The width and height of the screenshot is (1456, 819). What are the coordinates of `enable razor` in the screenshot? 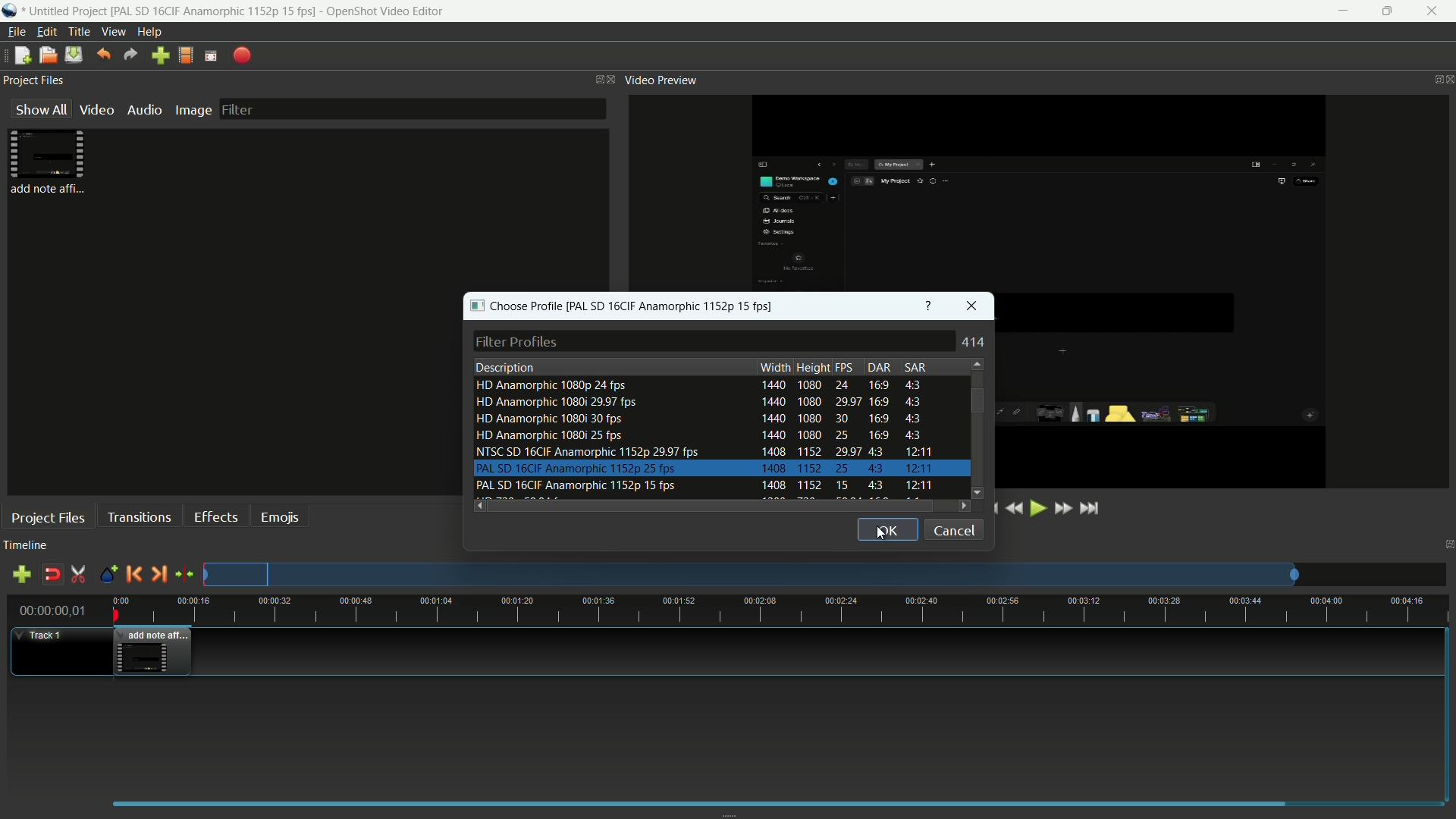 It's located at (79, 575).